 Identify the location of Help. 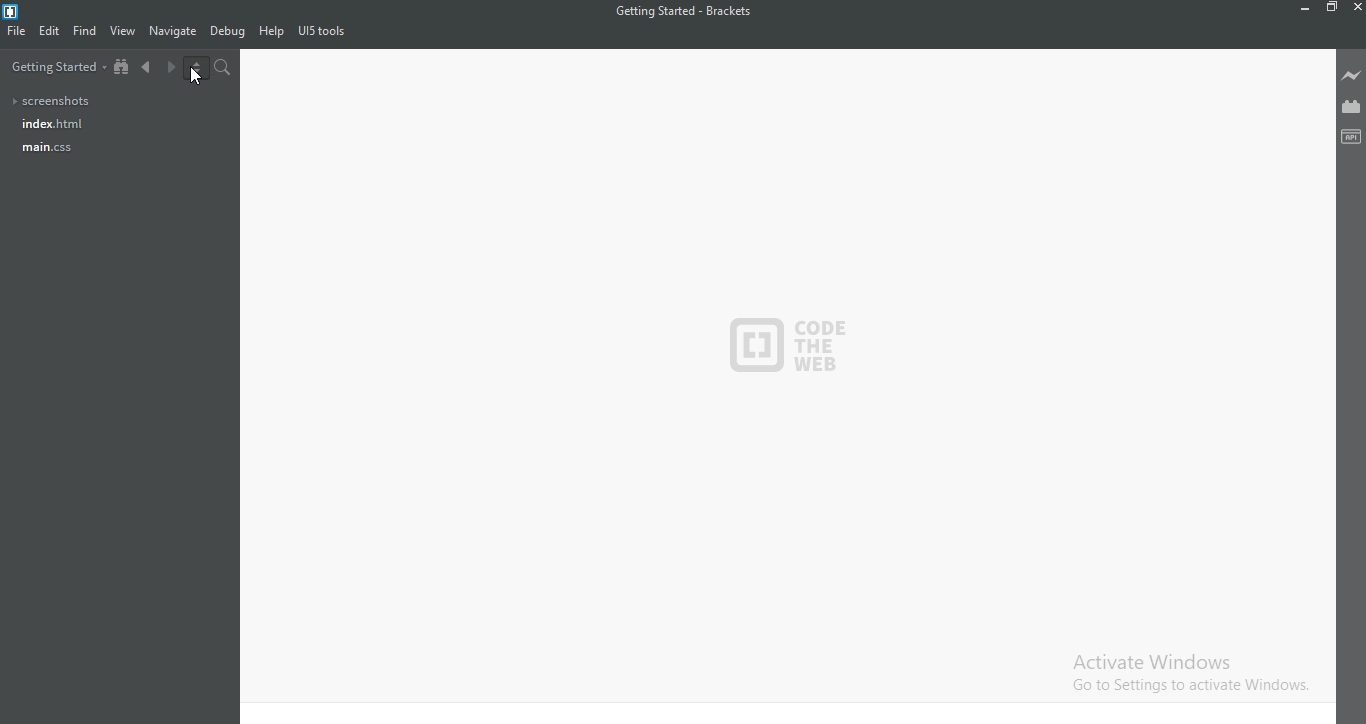
(271, 32).